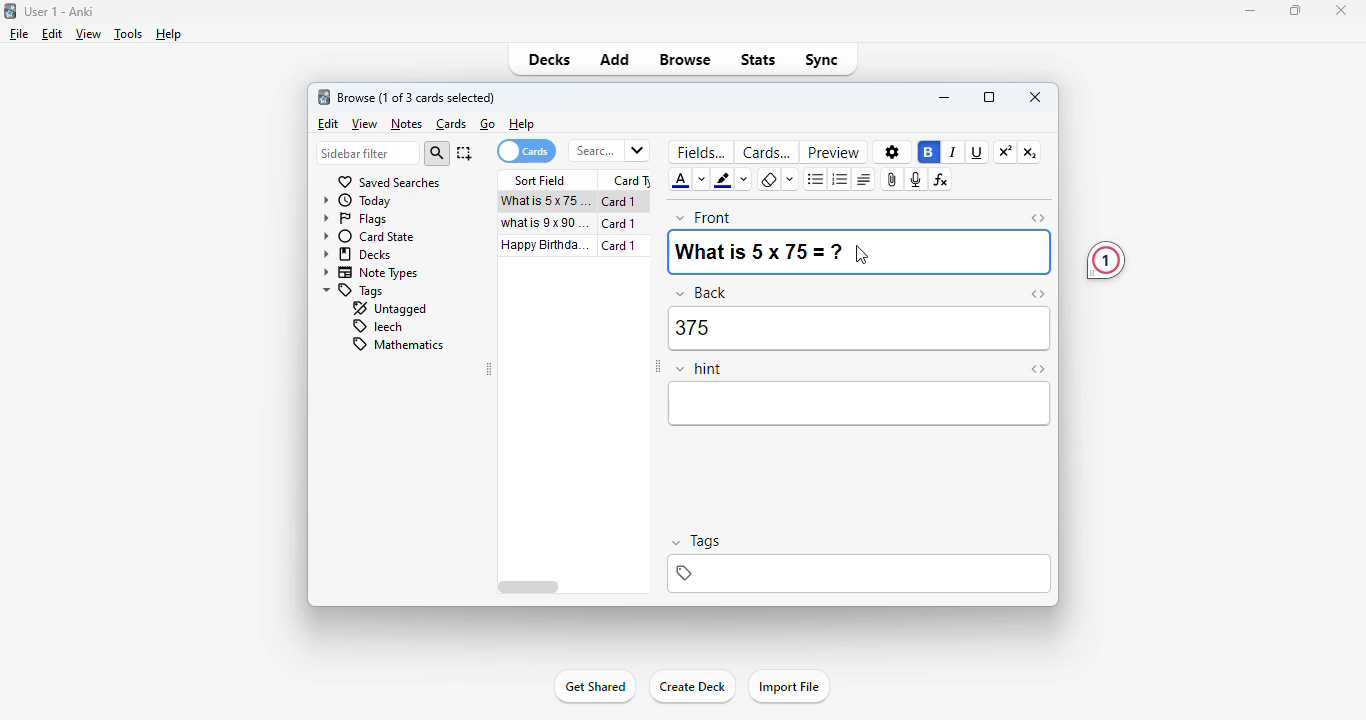 The image size is (1366, 720). What do you see at coordinates (451, 125) in the screenshot?
I see `cards` at bounding box center [451, 125].